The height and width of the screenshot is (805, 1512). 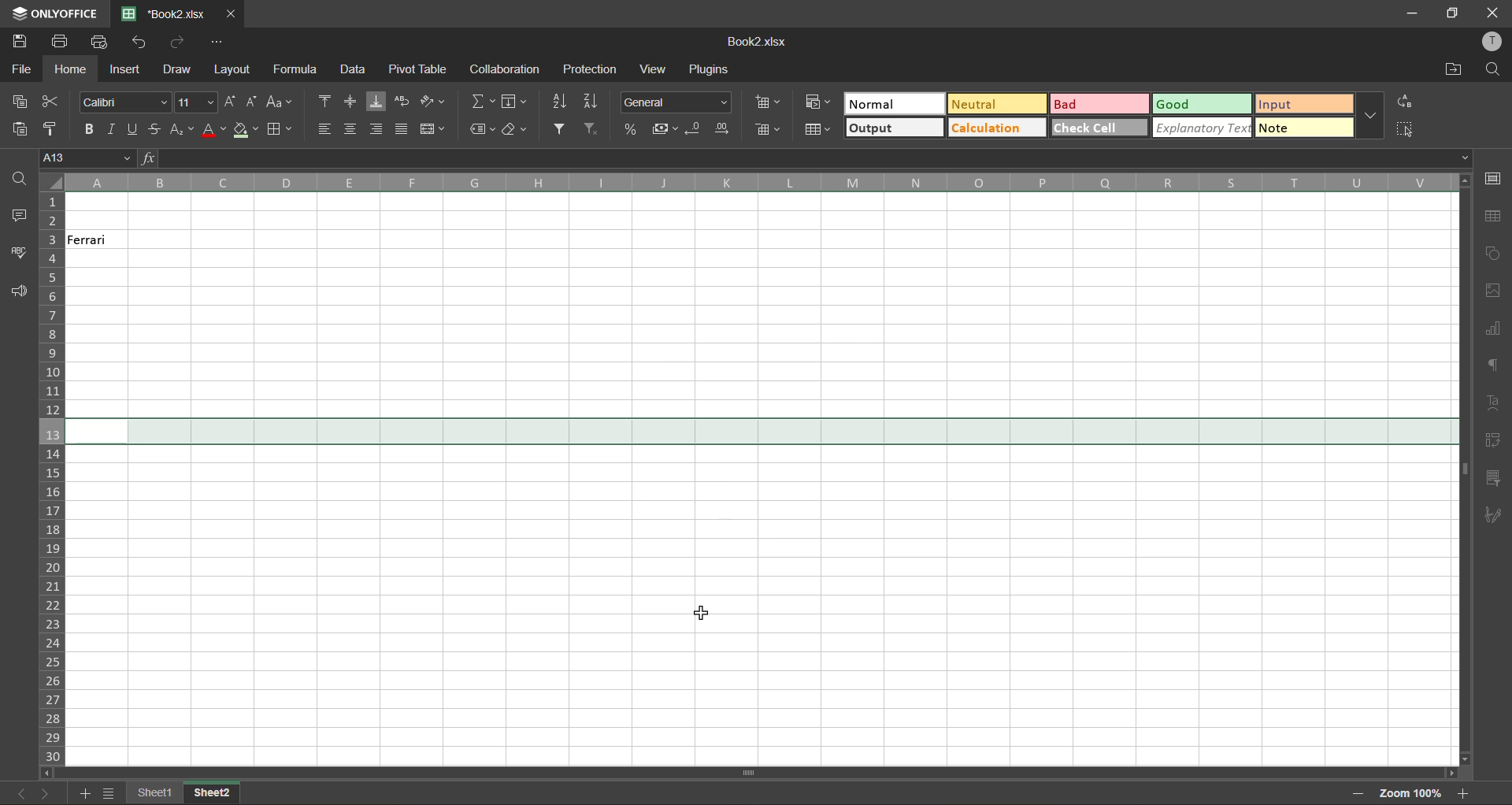 What do you see at coordinates (401, 101) in the screenshot?
I see `wrap text` at bounding box center [401, 101].